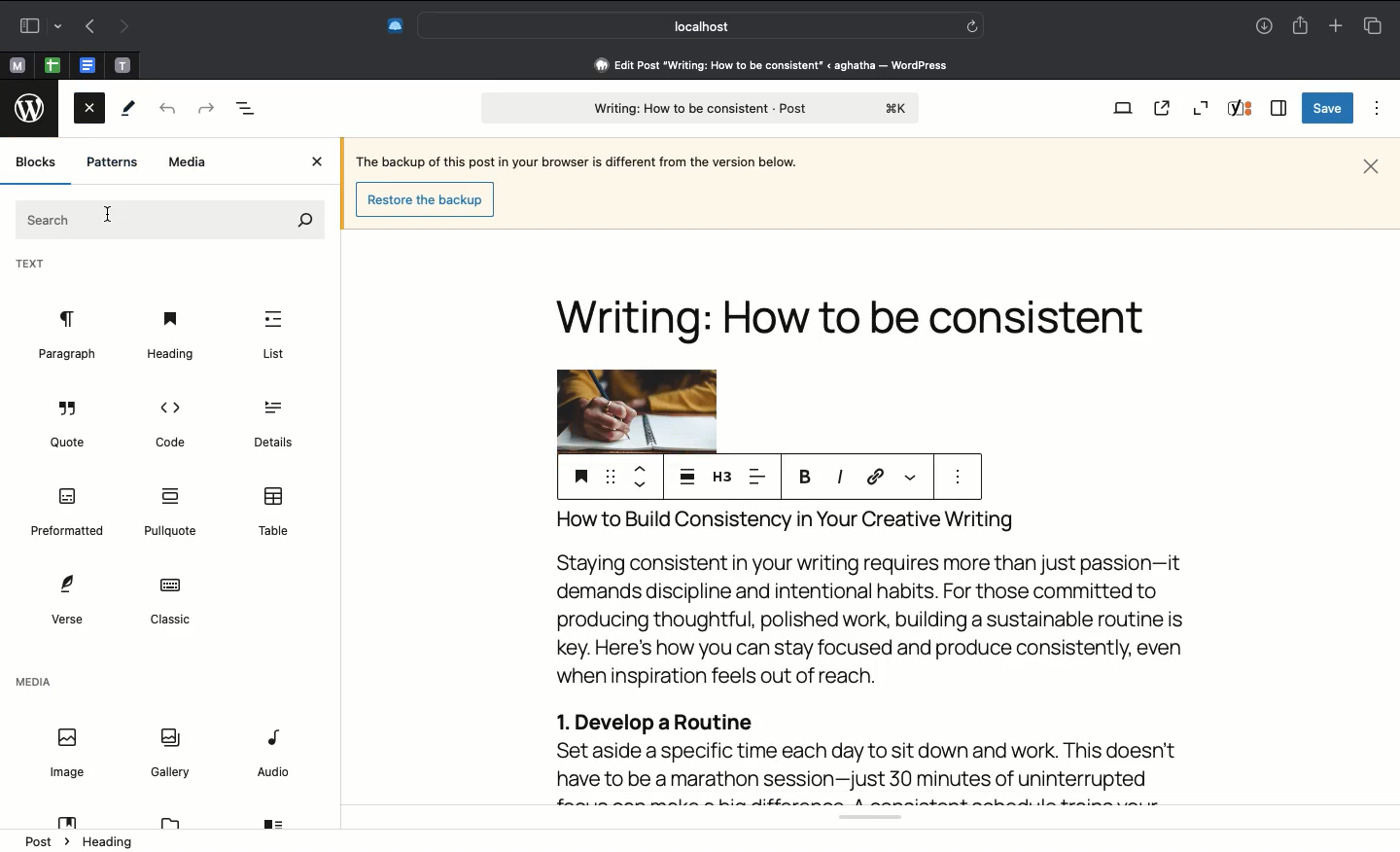 The height and width of the screenshot is (852, 1400). Describe the element at coordinates (1371, 166) in the screenshot. I see `Close` at that location.